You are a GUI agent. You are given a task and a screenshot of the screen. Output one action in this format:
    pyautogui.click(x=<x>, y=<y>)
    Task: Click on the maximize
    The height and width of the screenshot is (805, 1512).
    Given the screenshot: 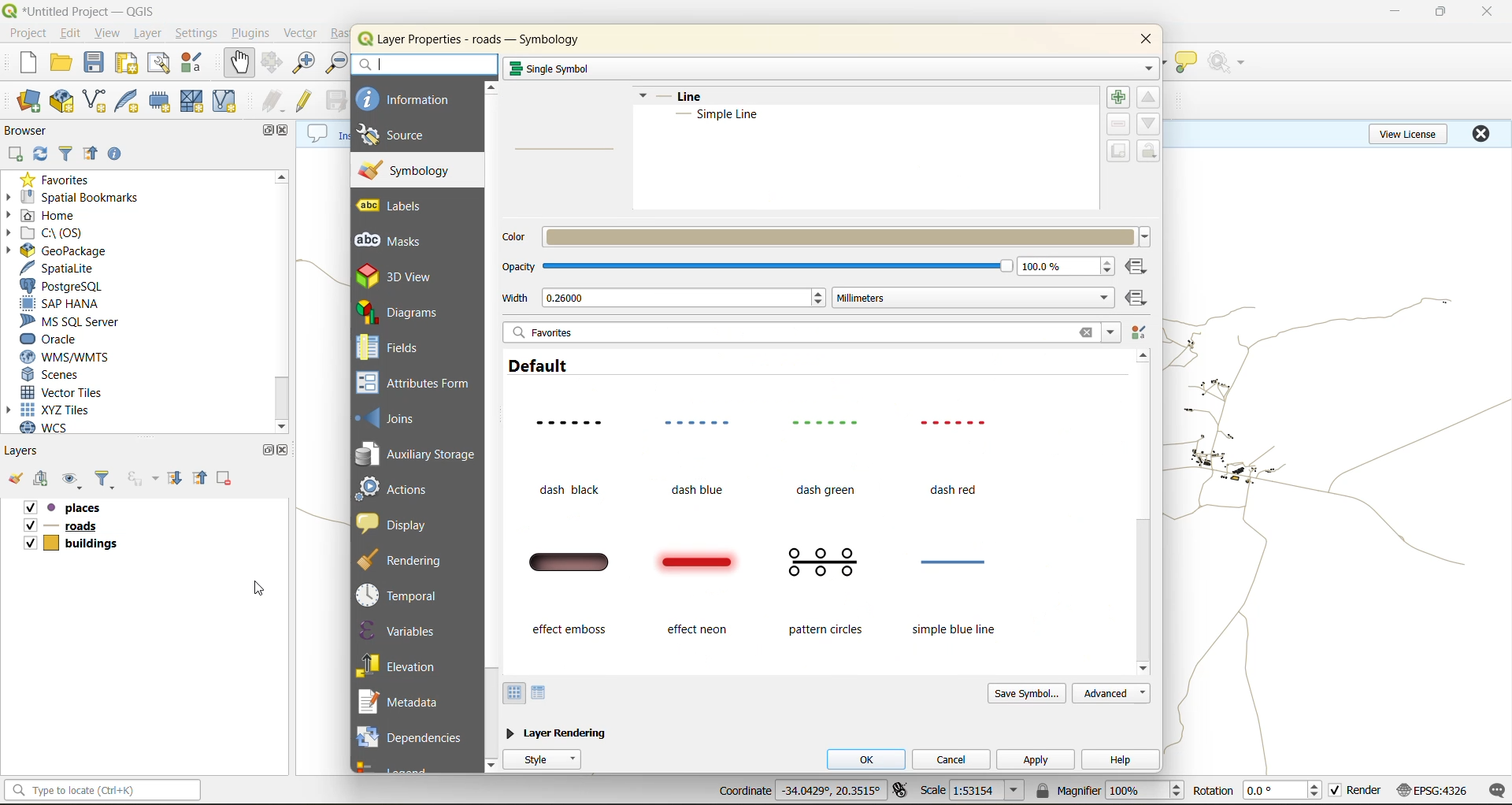 What is the action you would take?
    pyautogui.click(x=1437, y=17)
    